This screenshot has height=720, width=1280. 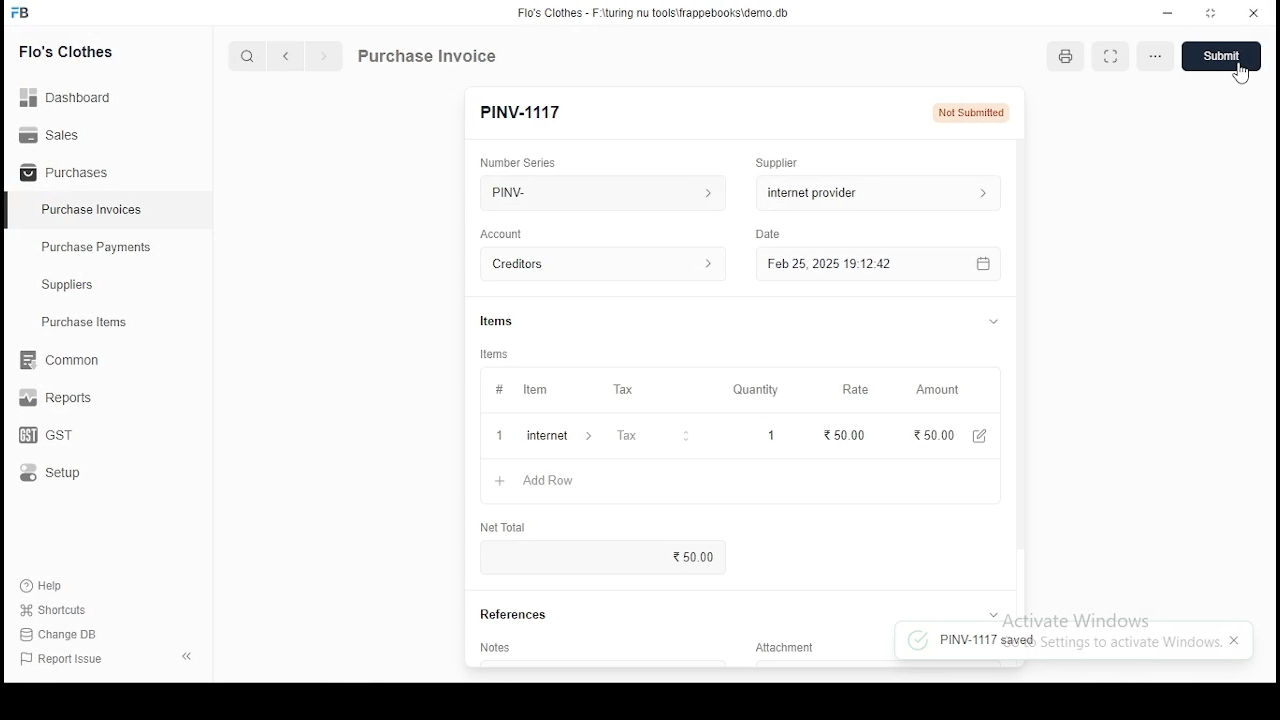 What do you see at coordinates (1235, 74) in the screenshot?
I see `mouse pointer` at bounding box center [1235, 74].